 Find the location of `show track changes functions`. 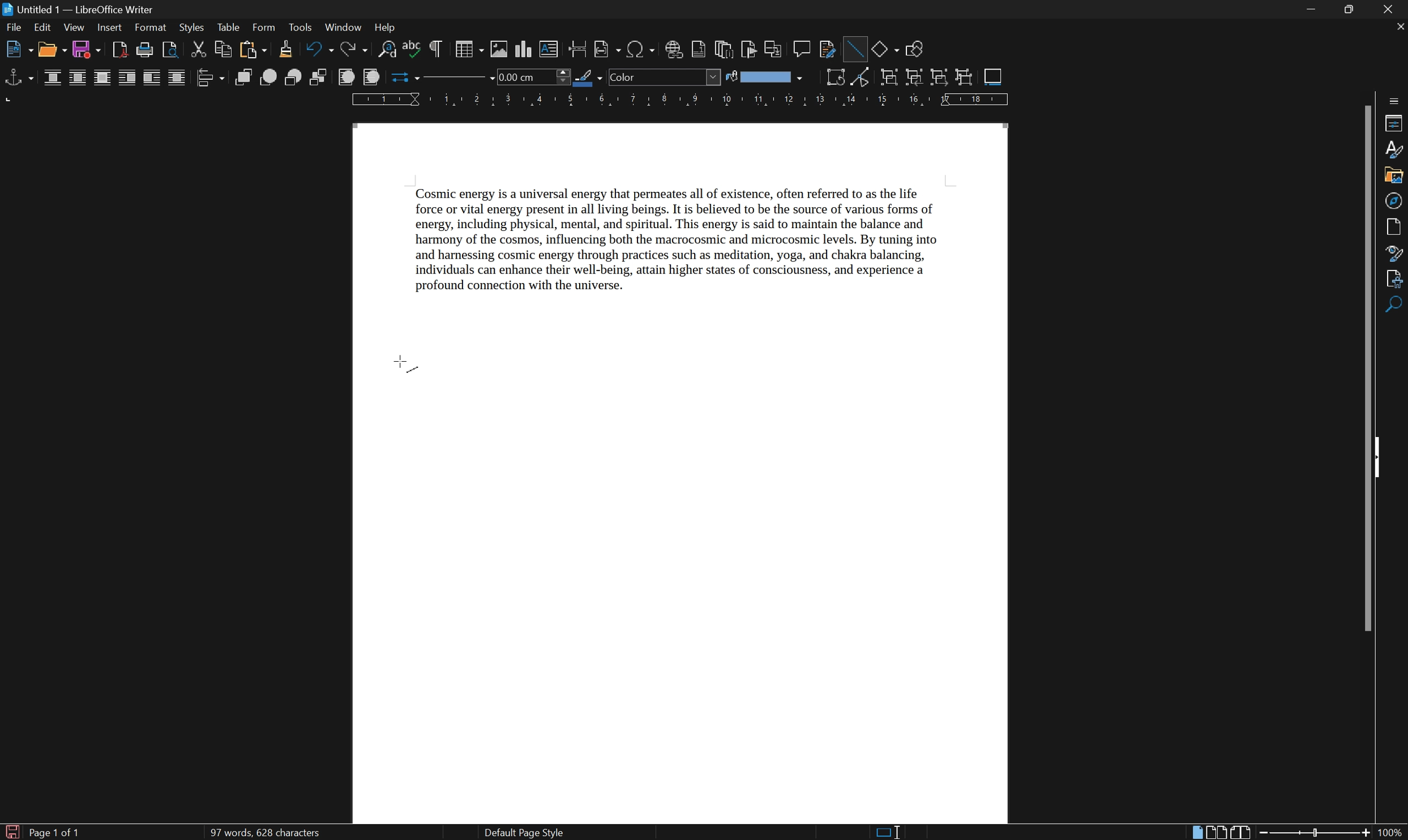

show track changes functions is located at coordinates (828, 50).